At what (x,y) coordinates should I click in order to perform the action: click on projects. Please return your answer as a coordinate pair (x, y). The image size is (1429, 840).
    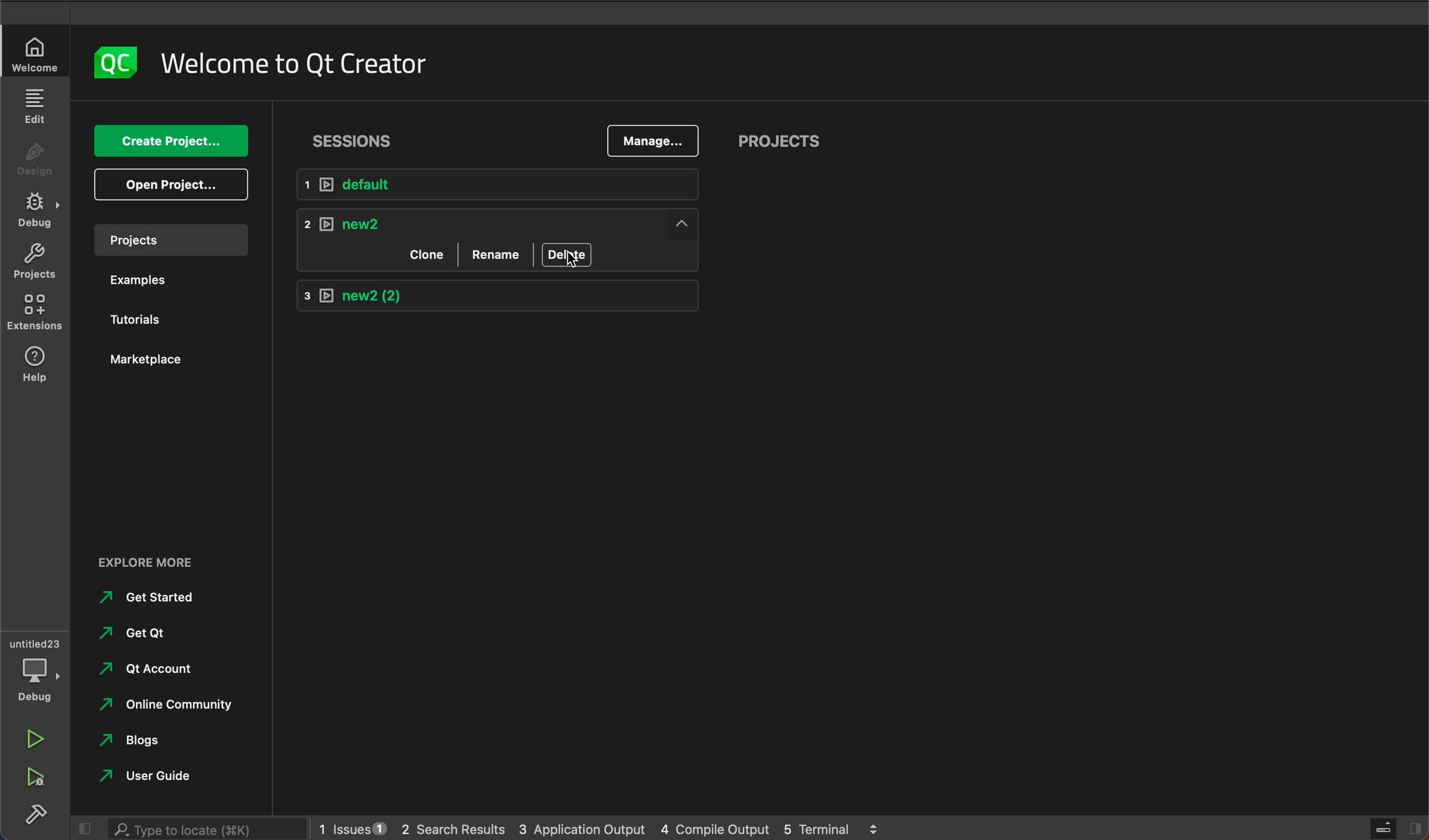
    Looking at the image, I should click on (781, 143).